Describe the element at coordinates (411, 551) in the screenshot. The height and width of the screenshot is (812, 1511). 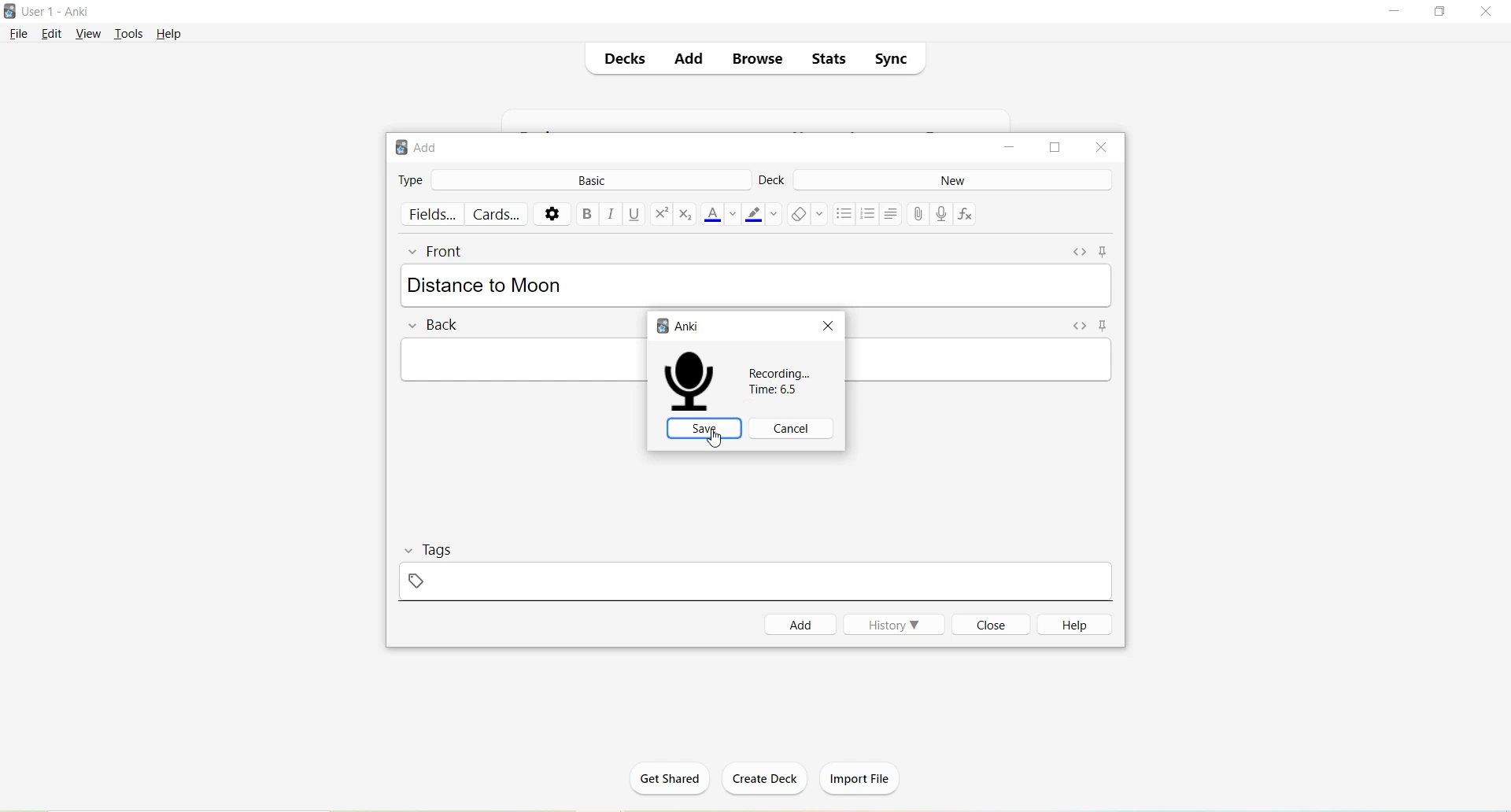
I see `Collapse` at that location.